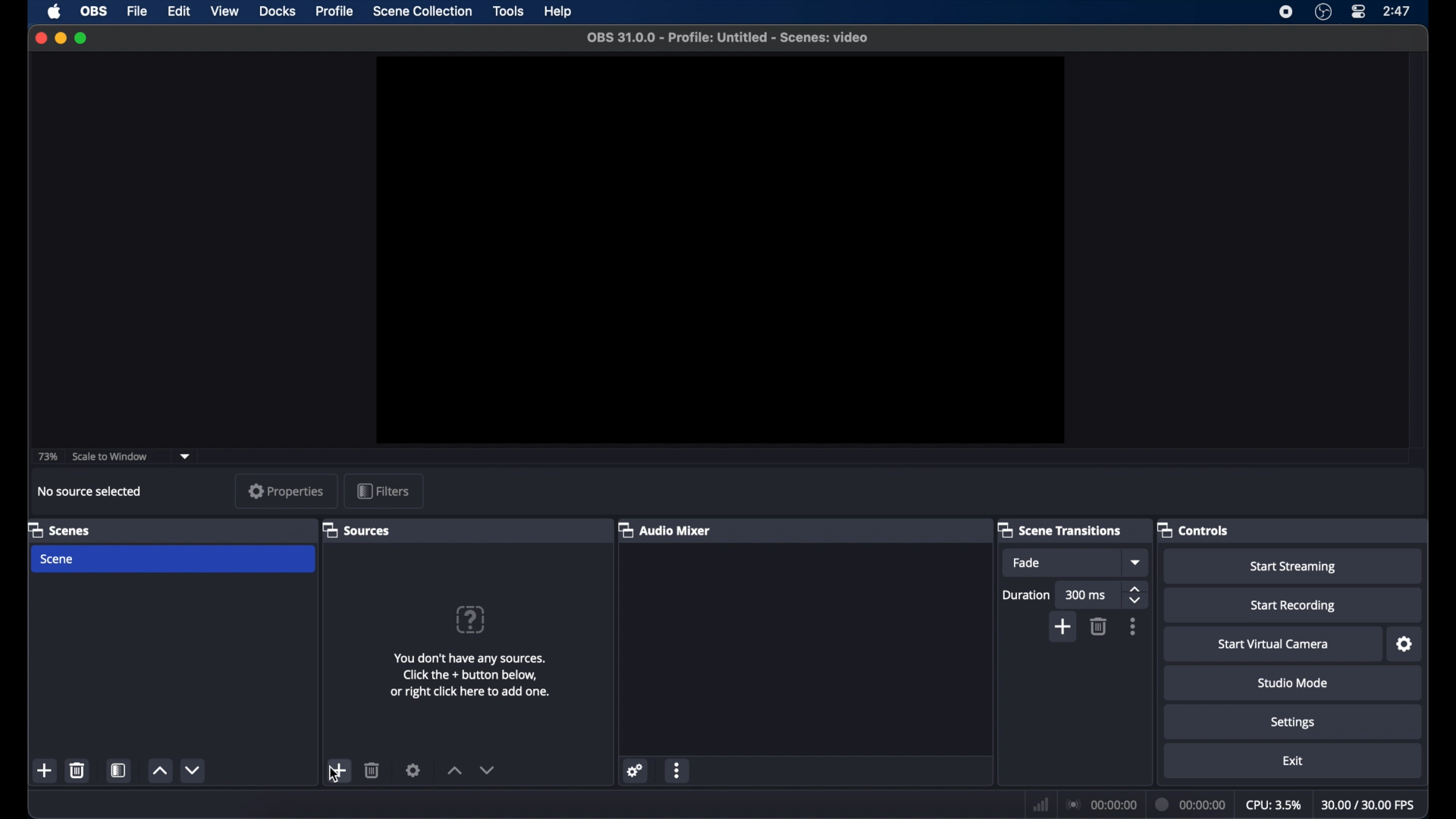 This screenshot has height=819, width=1456. I want to click on moreoptions, so click(1133, 626).